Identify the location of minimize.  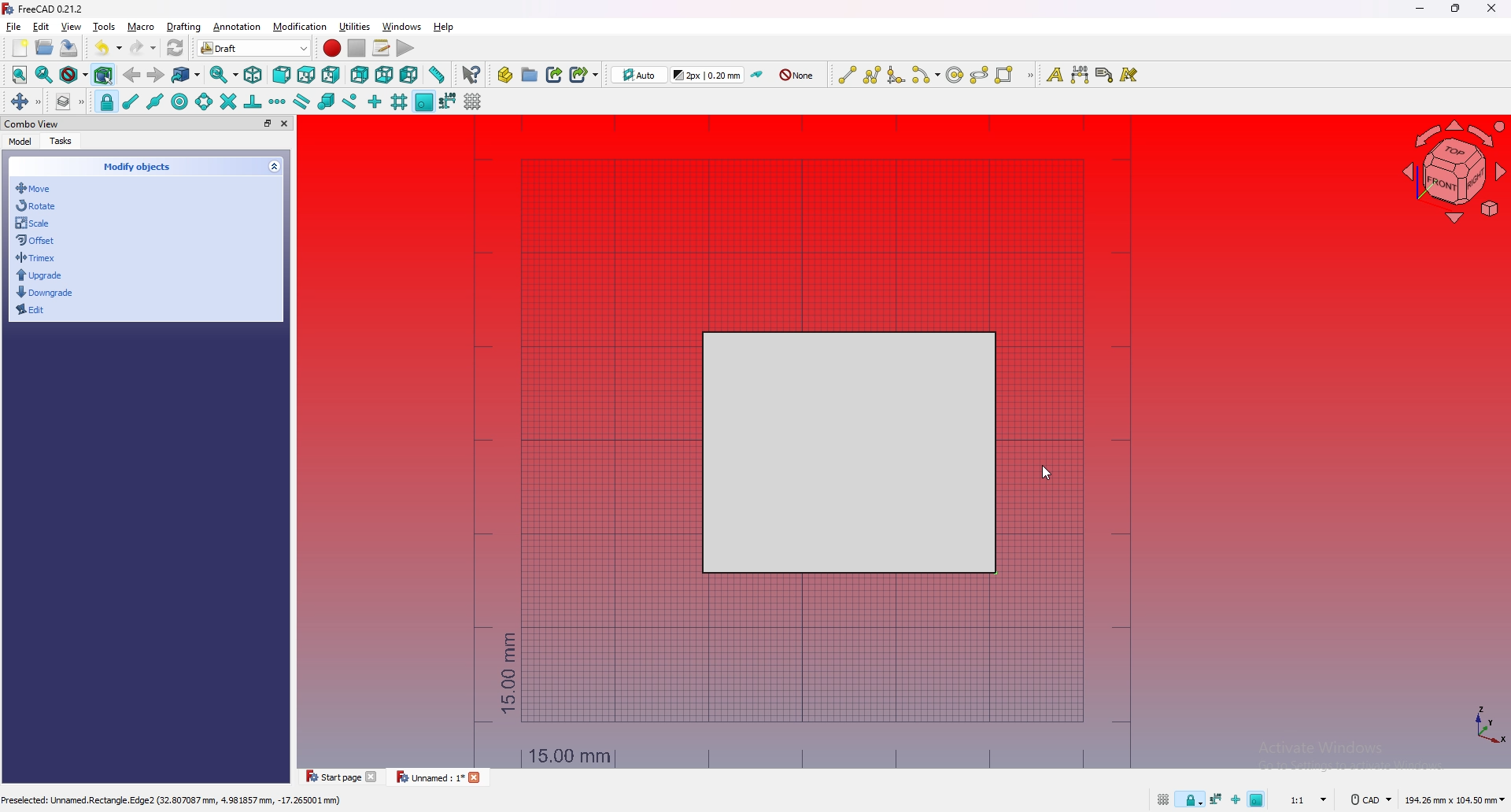
(1420, 9).